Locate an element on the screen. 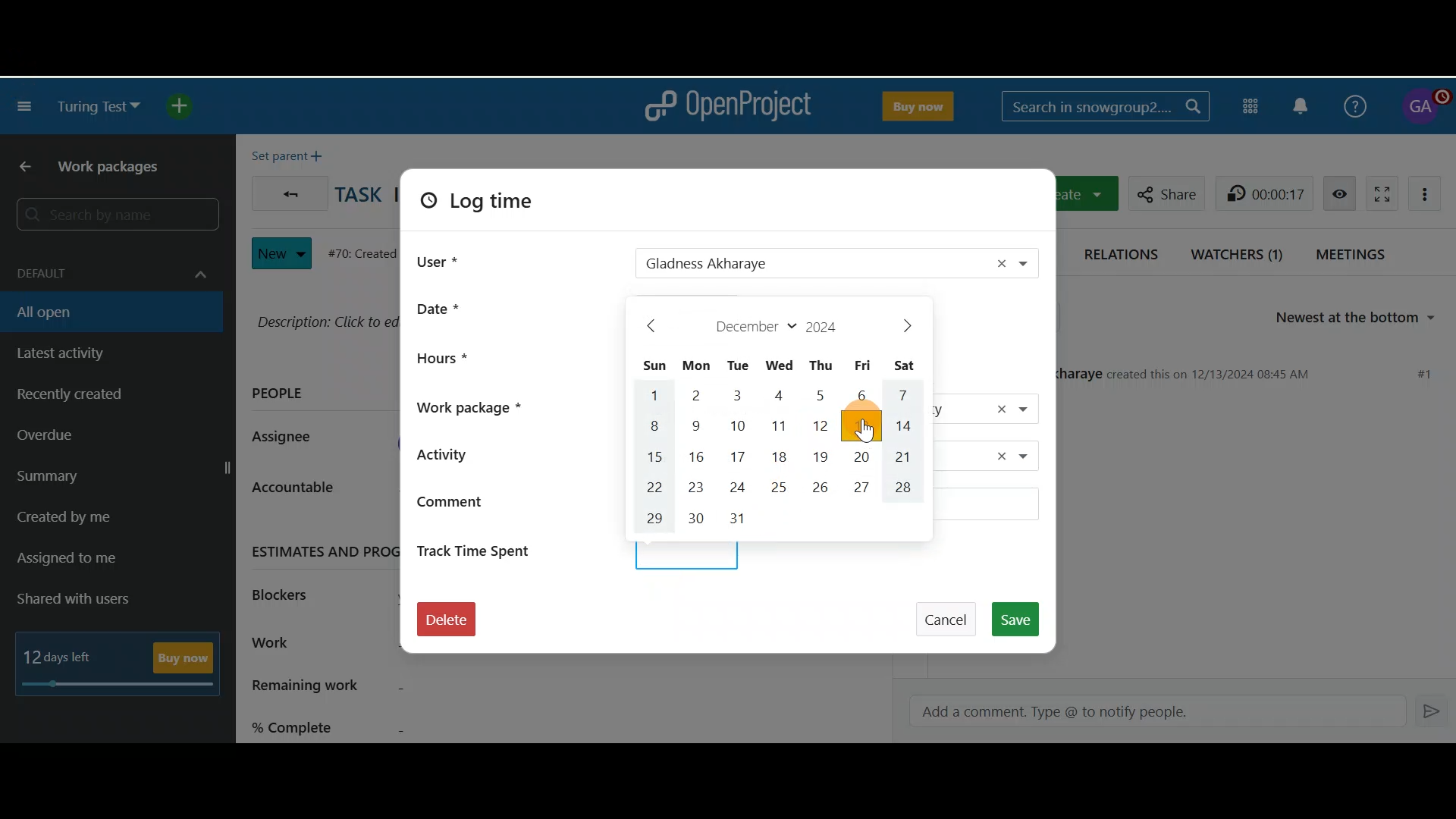 Image resolution: width=1456 pixels, height=819 pixels. Date is located at coordinates (455, 307).